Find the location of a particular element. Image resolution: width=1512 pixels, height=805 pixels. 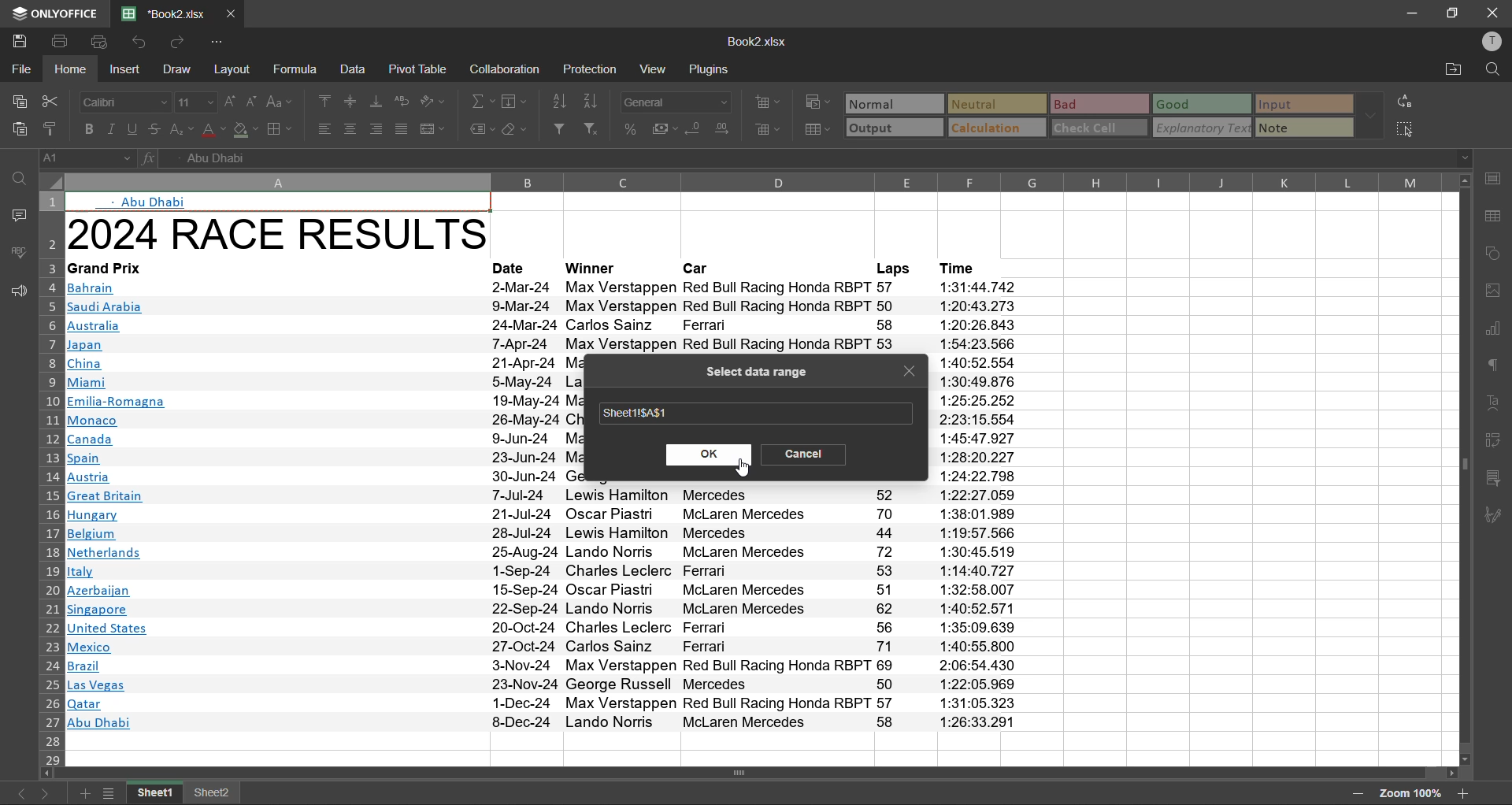

save is located at coordinates (19, 42).